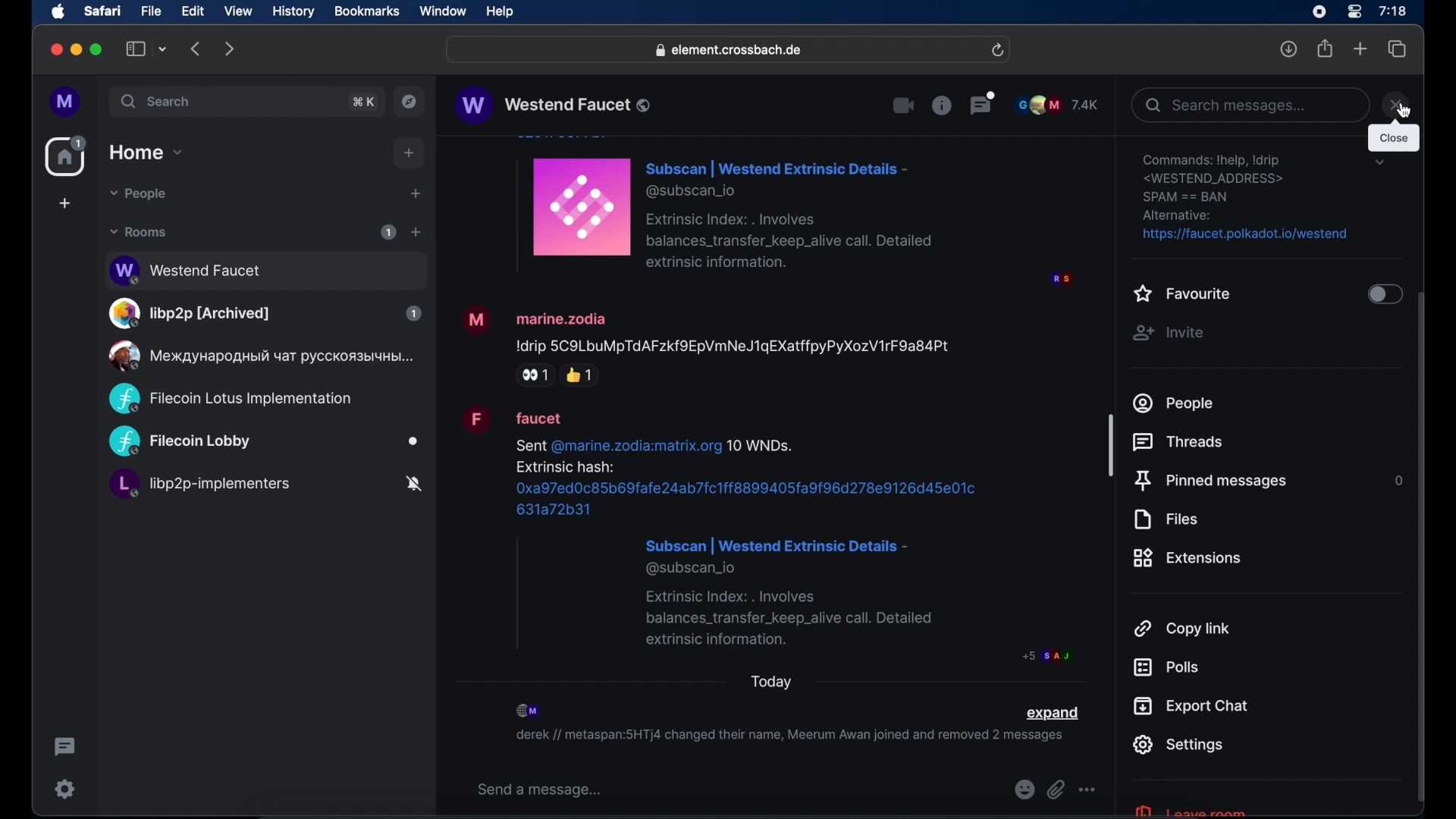 The image size is (1456, 819). What do you see at coordinates (230, 399) in the screenshot?
I see `public room` at bounding box center [230, 399].